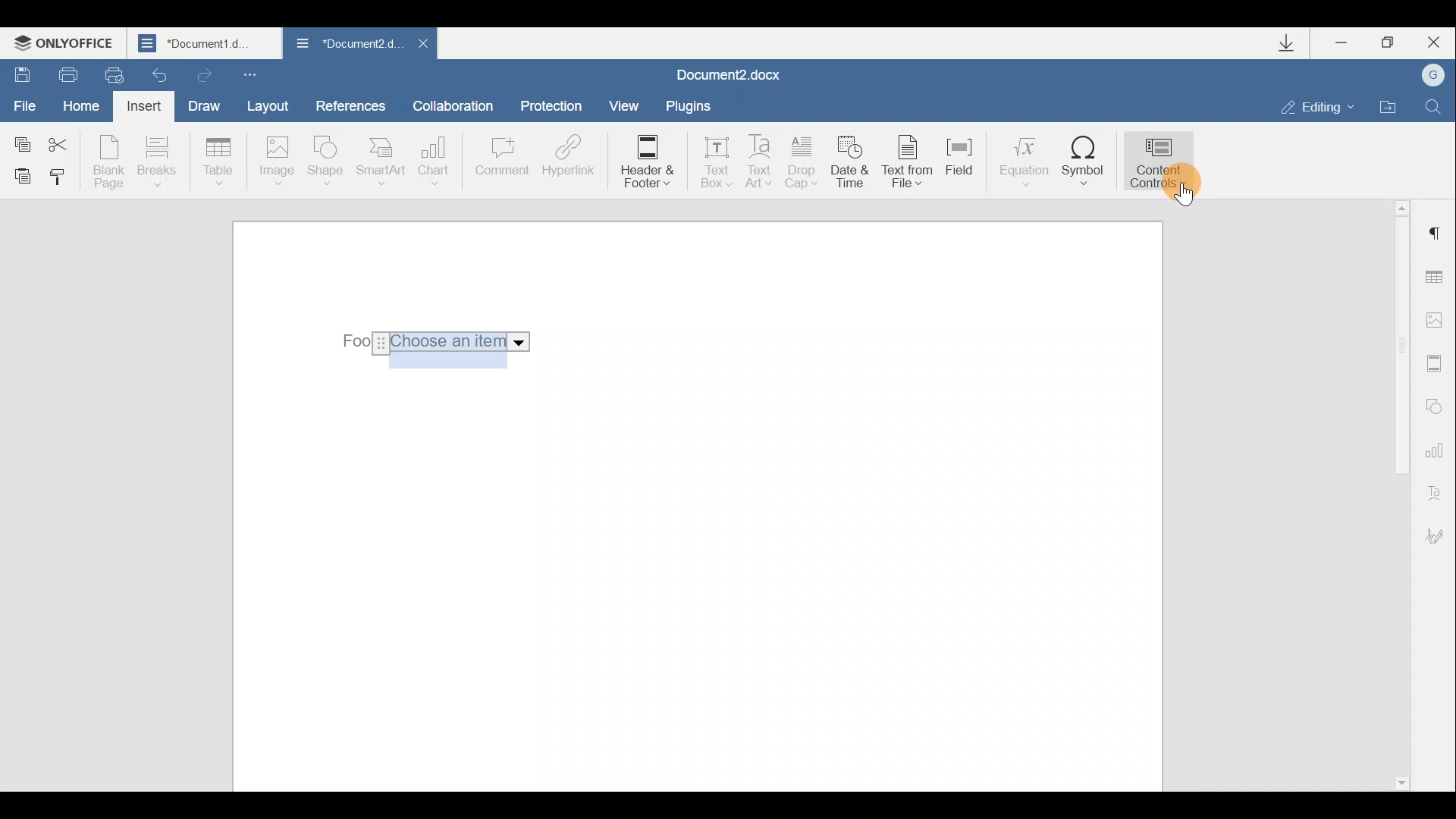 The height and width of the screenshot is (819, 1456). Describe the element at coordinates (253, 74) in the screenshot. I see `Customize quick access toolbar` at that location.